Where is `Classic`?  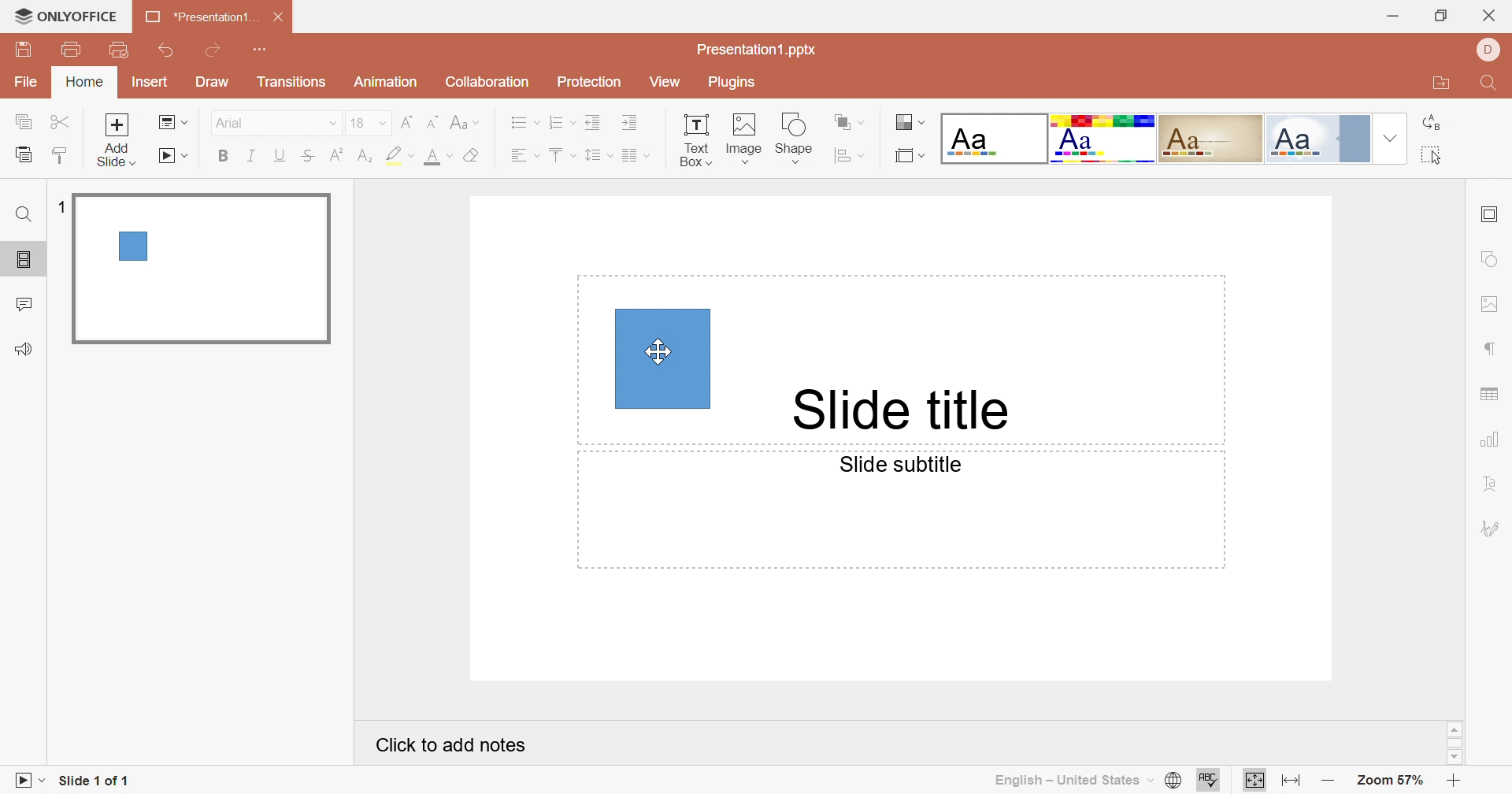 Classic is located at coordinates (1216, 139).